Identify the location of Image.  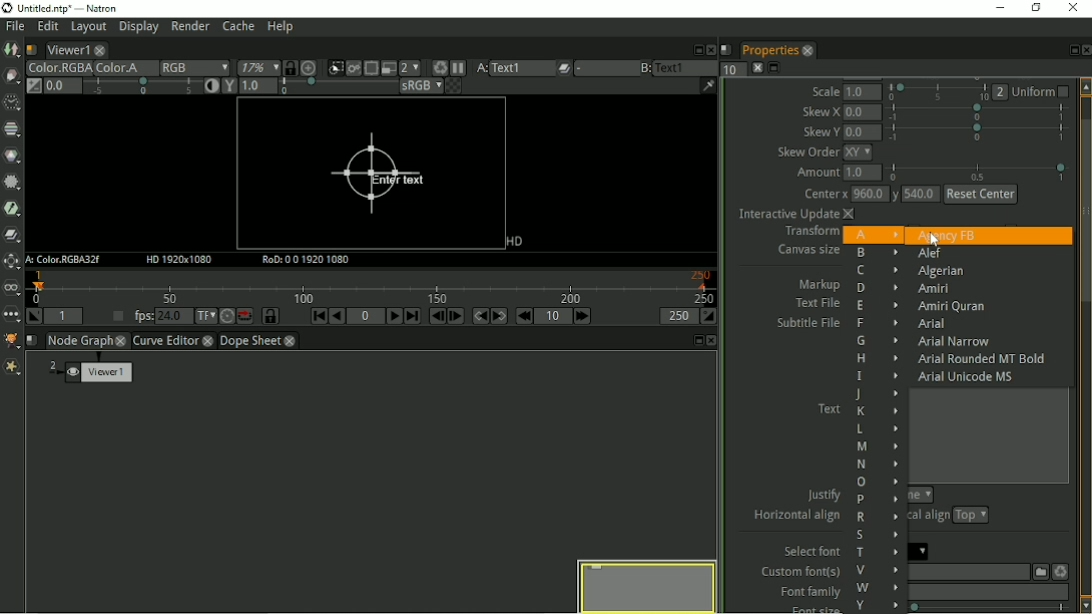
(12, 51).